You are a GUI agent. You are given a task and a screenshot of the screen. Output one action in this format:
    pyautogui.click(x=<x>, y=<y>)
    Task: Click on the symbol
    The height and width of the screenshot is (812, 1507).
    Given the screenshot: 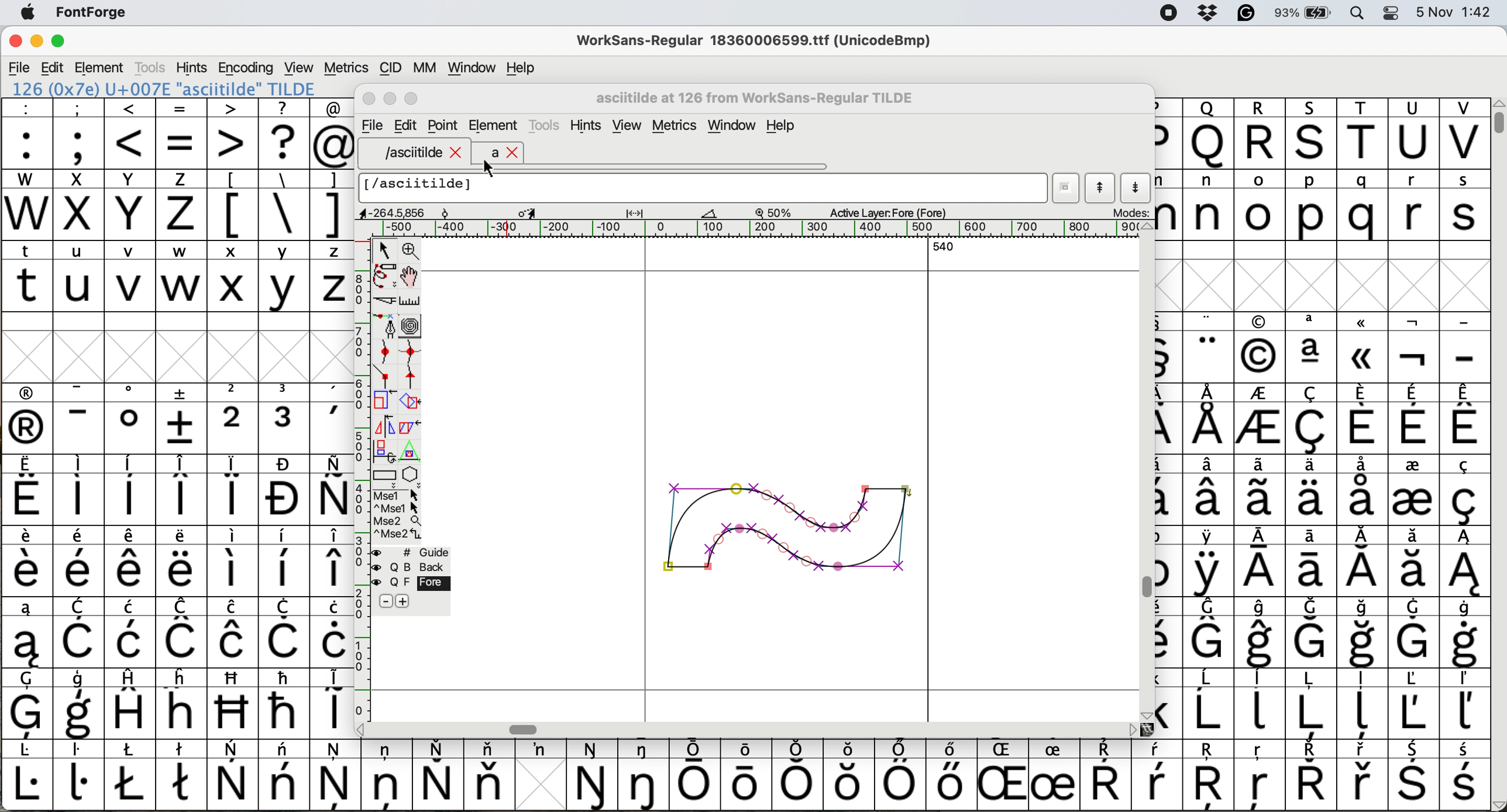 What is the action you would take?
    pyautogui.click(x=334, y=632)
    